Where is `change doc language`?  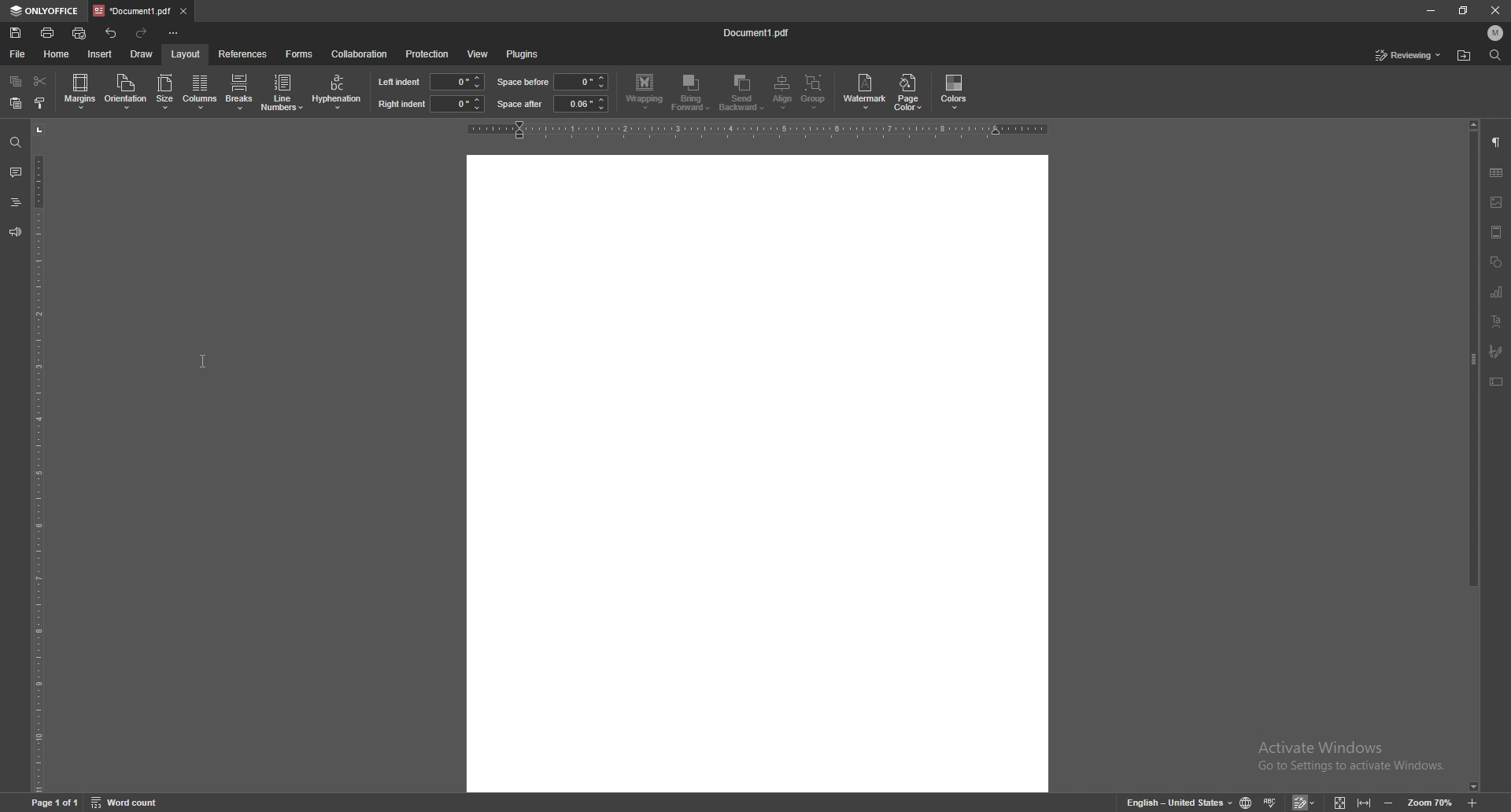 change doc language is located at coordinates (1247, 802).